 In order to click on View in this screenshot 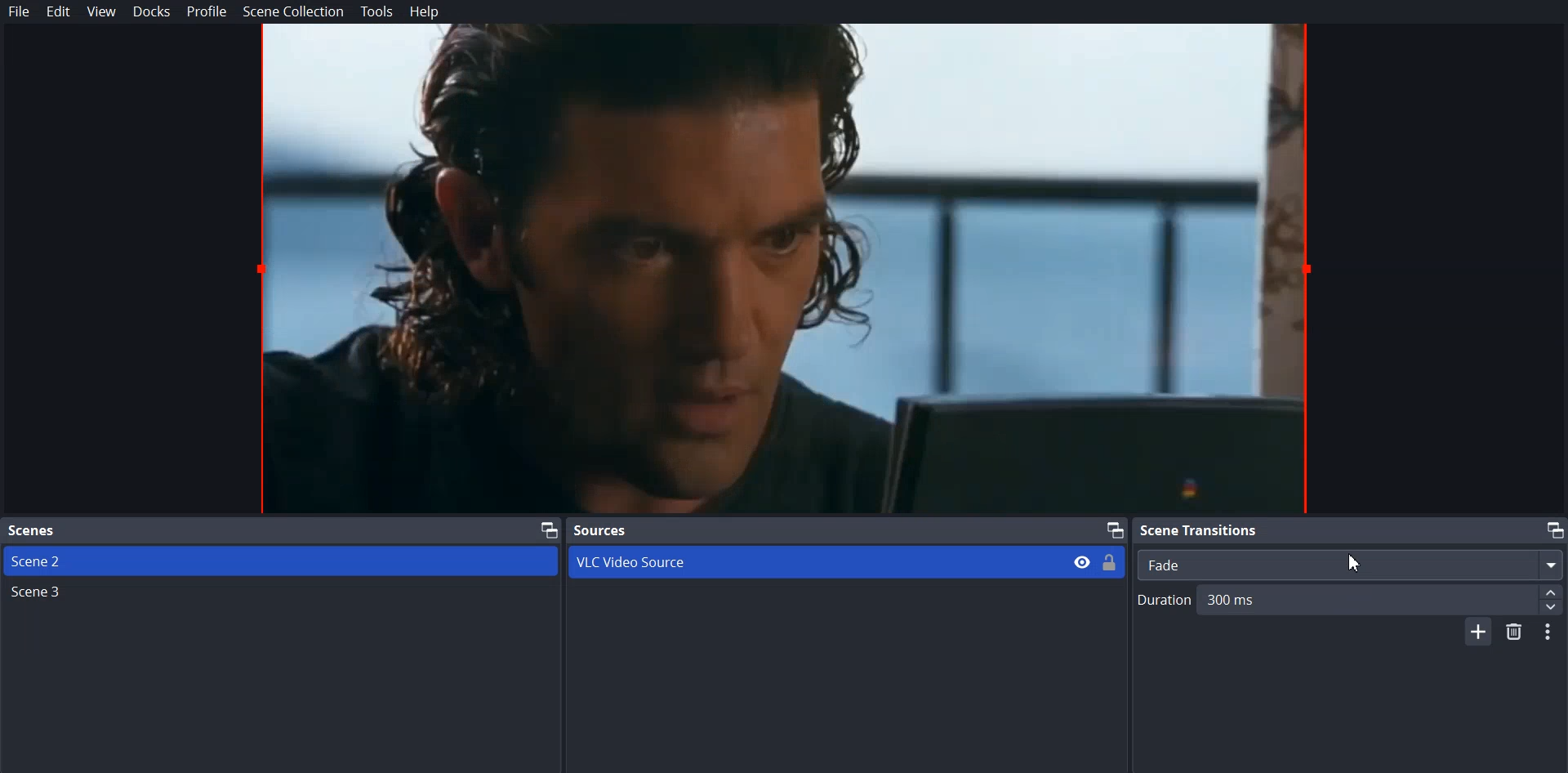, I will do `click(102, 12)`.